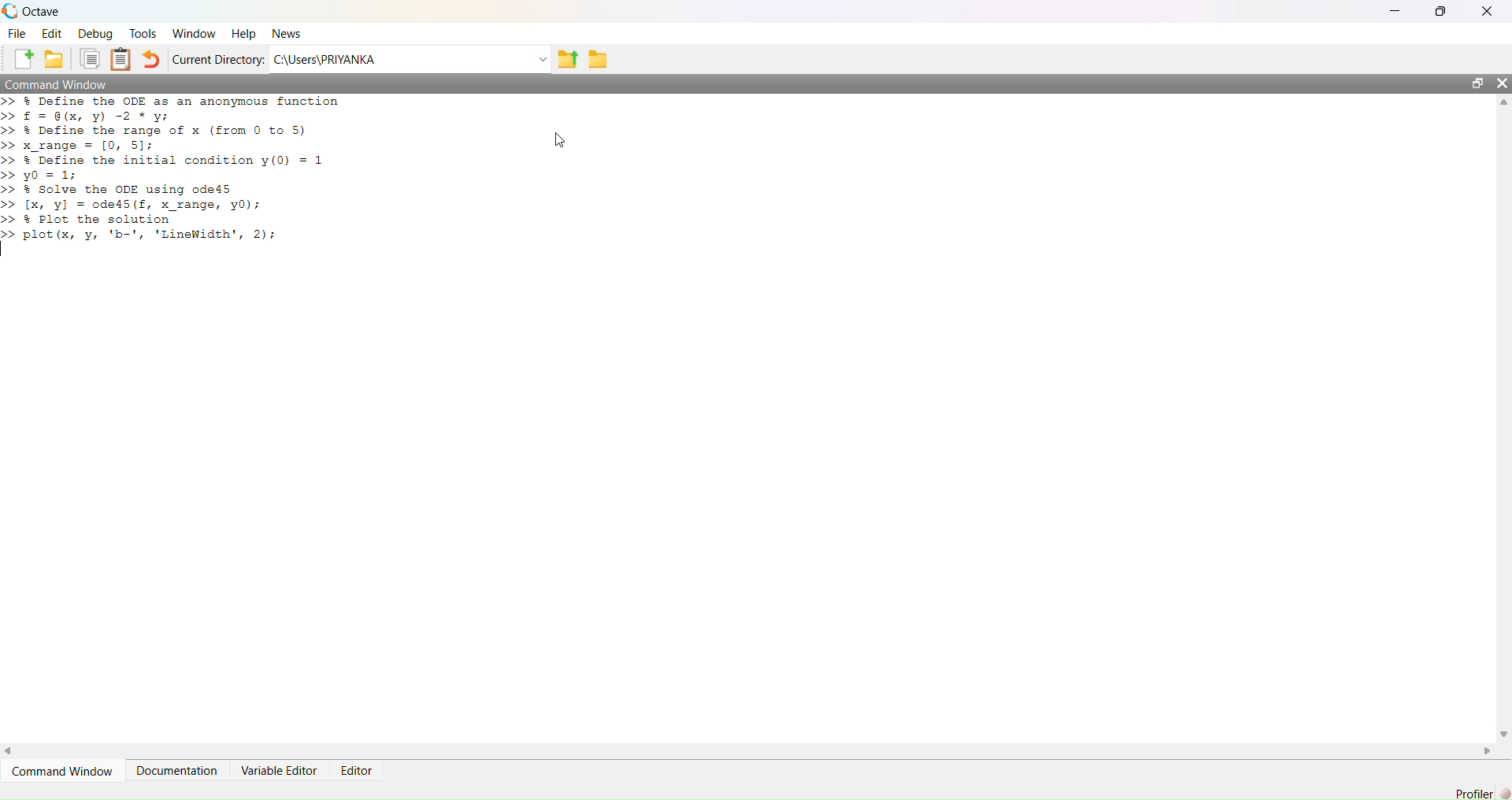  Describe the element at coordinates (20, 59) in the screenshot. I see `New script` at that location.